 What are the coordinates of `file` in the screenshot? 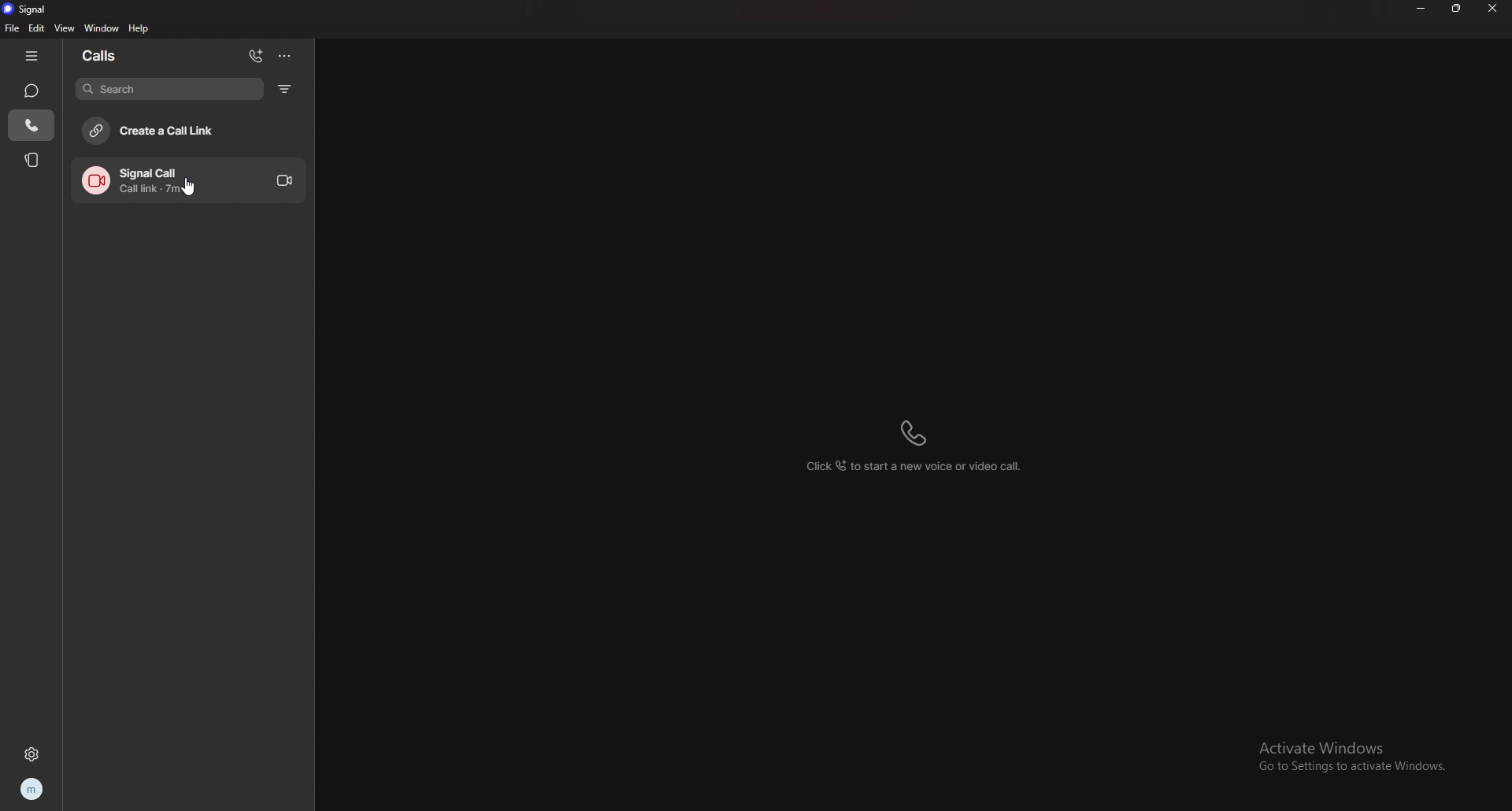 It's located at (11, 28).